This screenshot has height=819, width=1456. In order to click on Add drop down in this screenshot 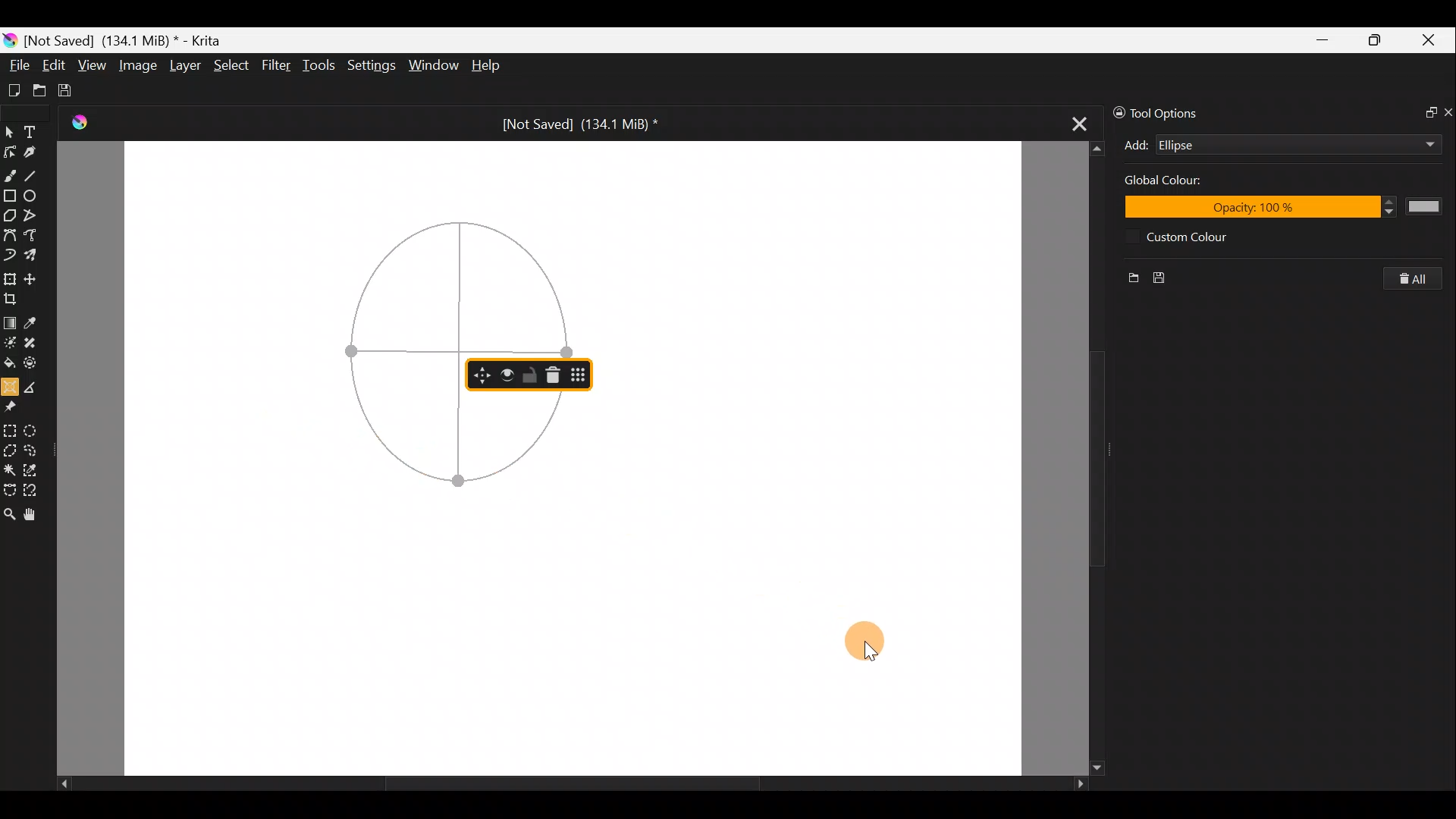, I will do `click(1416, 142)`.